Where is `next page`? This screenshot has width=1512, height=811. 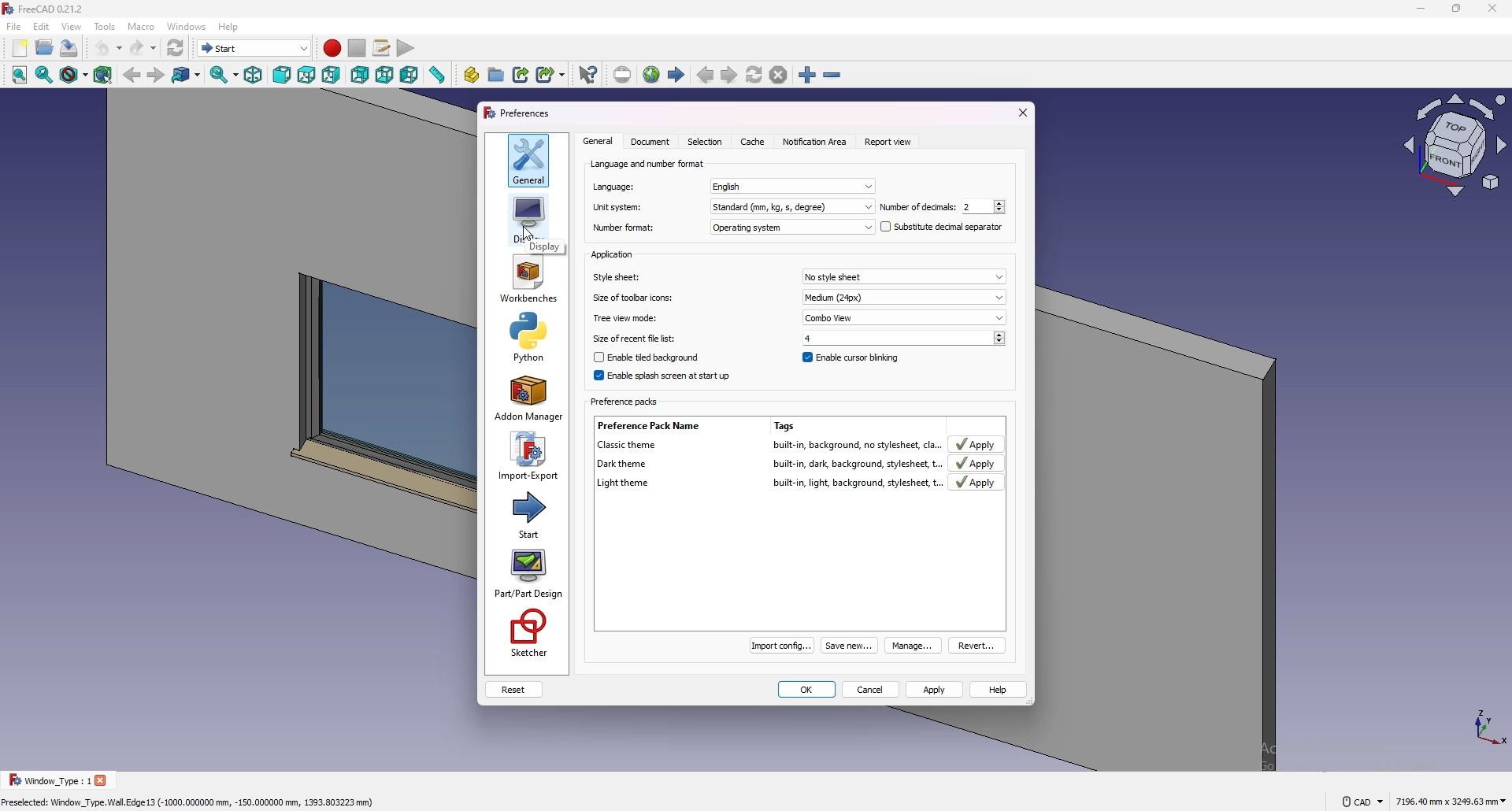
next page is located at coordinates (729, 76).